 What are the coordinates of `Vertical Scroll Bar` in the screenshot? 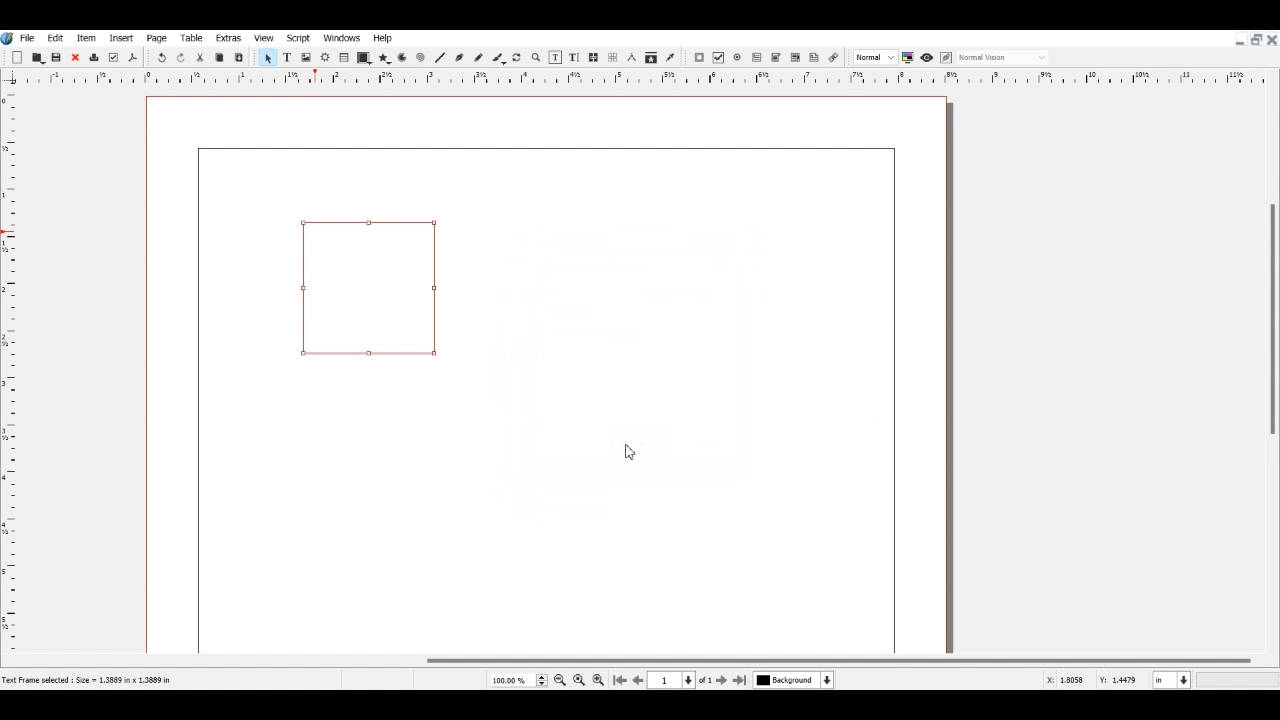 It's located at (1271, 360).